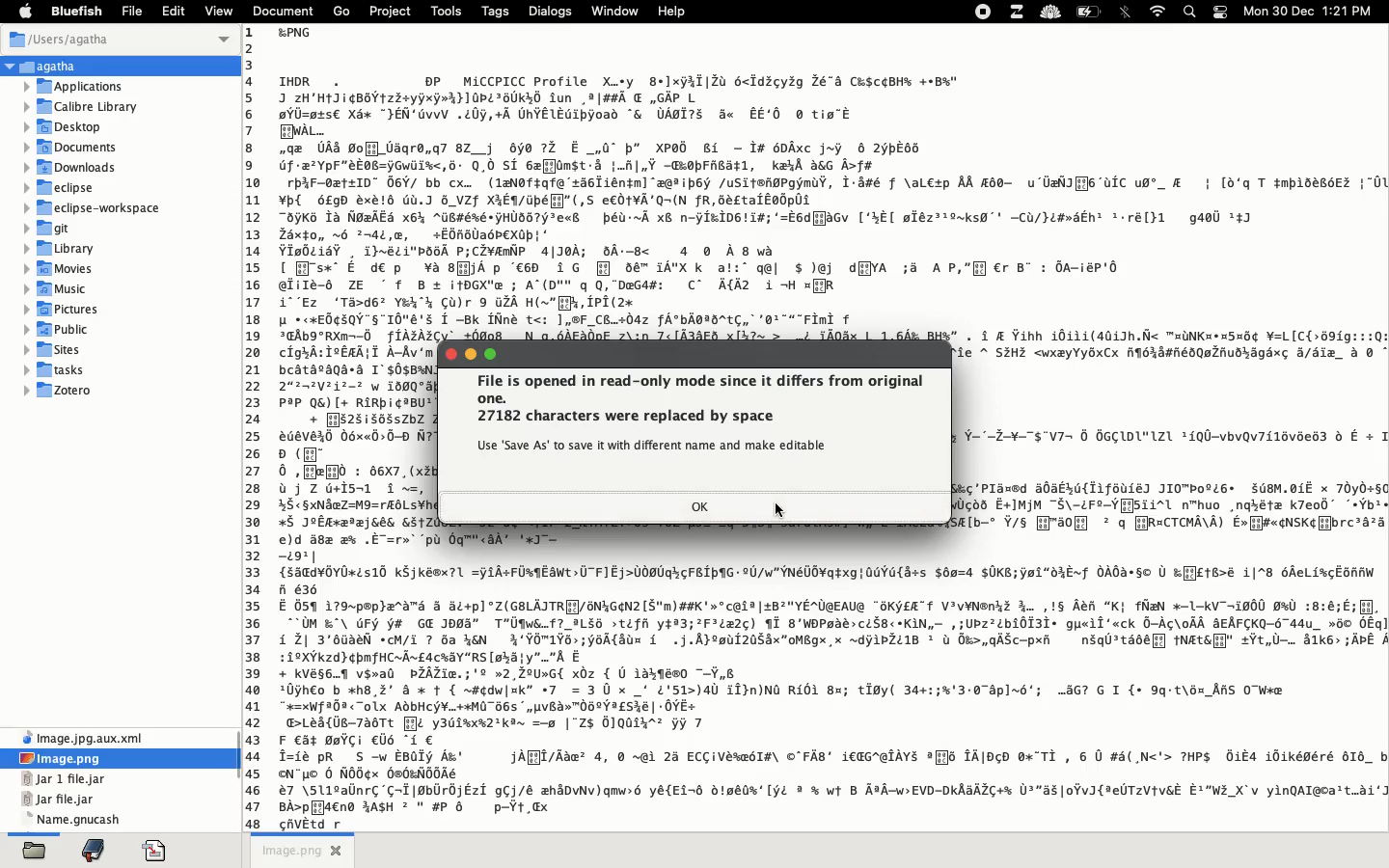  I want to click on applications, so click(72, 87).